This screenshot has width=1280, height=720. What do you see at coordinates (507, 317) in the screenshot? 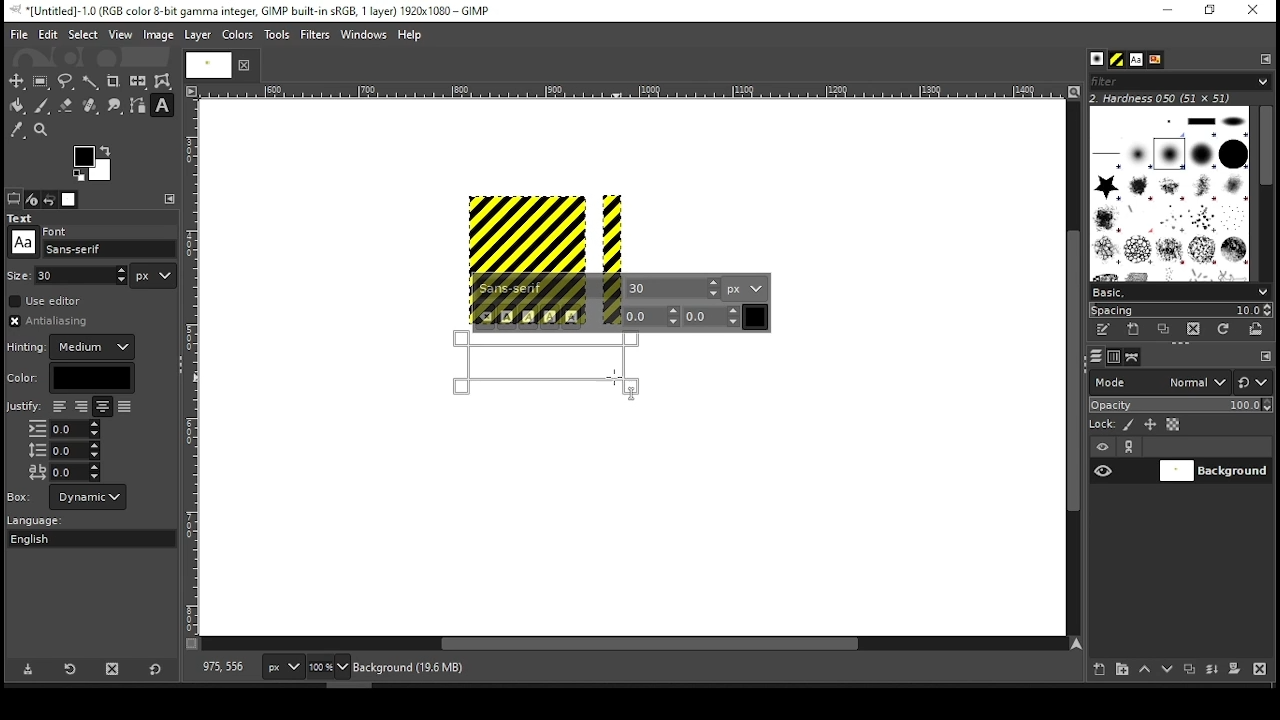
I see `bold` at bounding box center [507, 317].